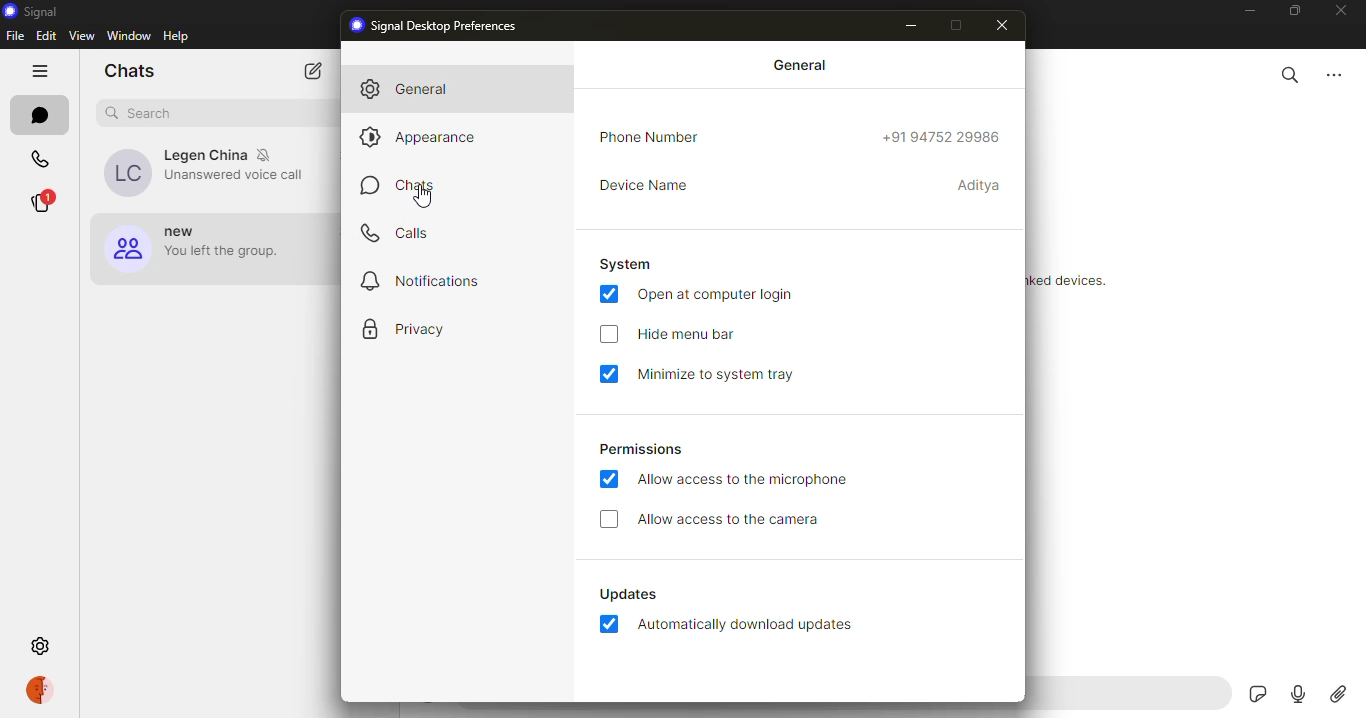  What do you see at coordinates (425, 196) in the screenshot?
I see `cursor` at bounding box center [425, 196].